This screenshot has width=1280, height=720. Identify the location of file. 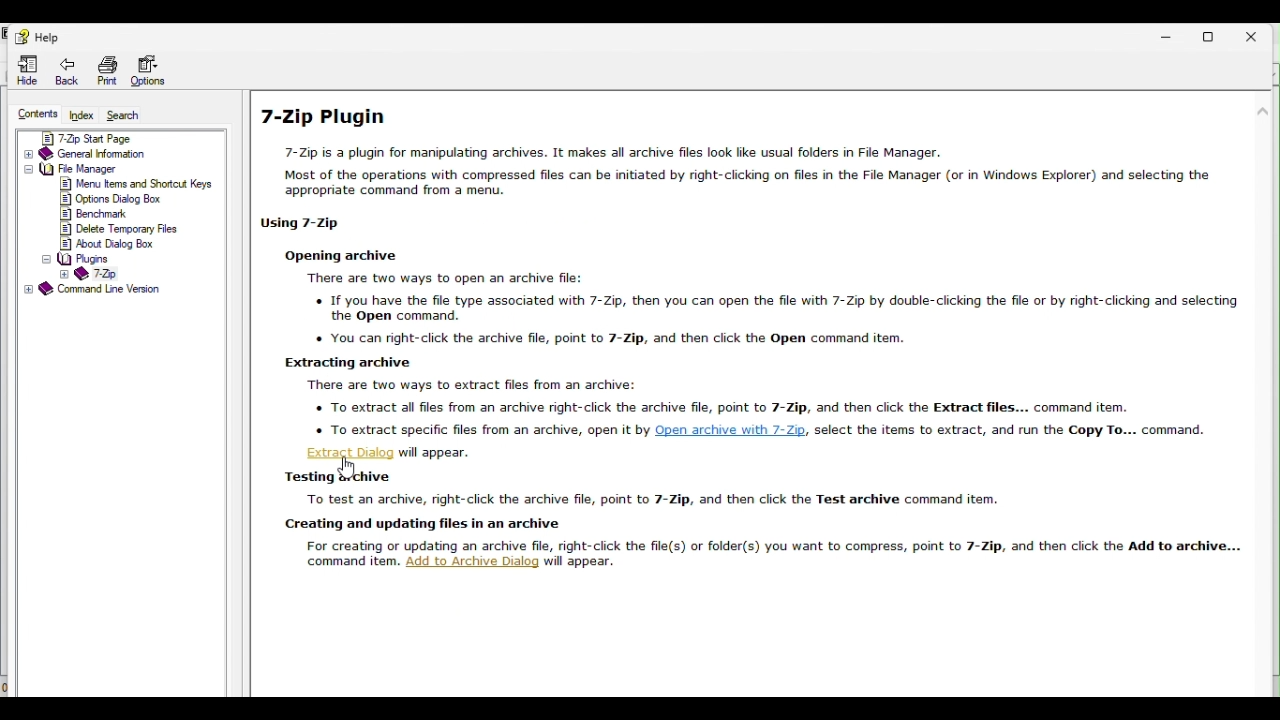
(122, 168).